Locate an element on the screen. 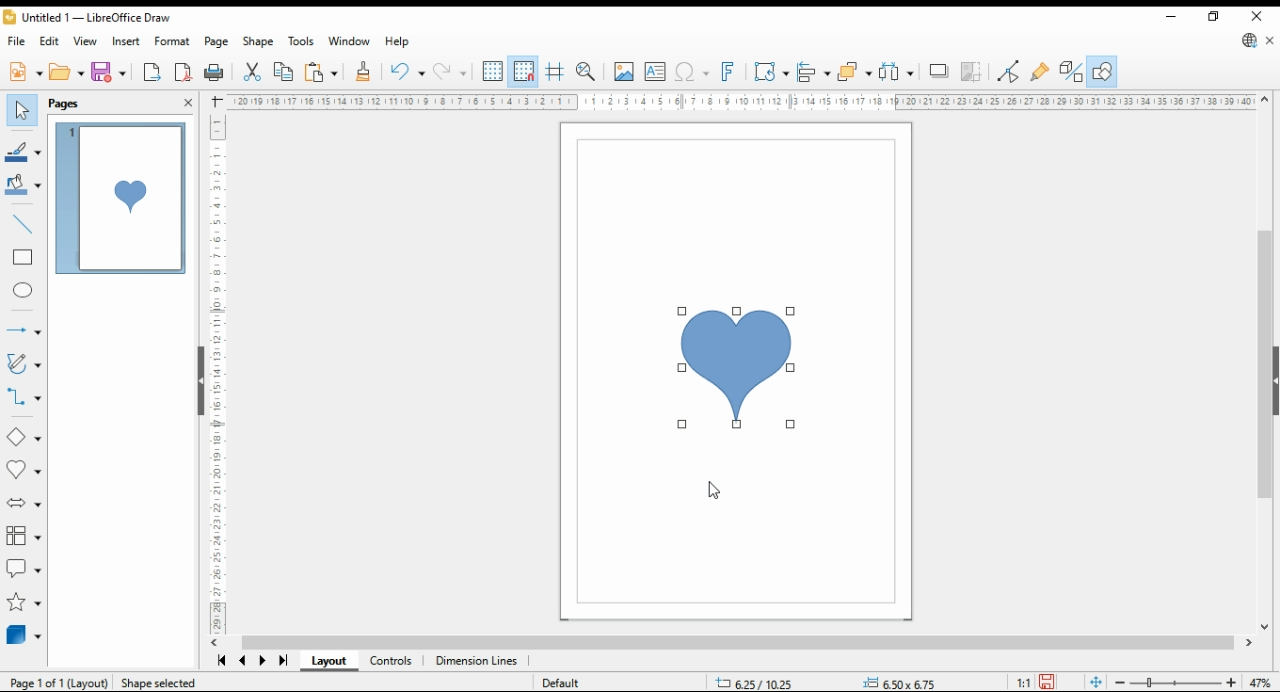  redo is located at coordinates (449, 71).